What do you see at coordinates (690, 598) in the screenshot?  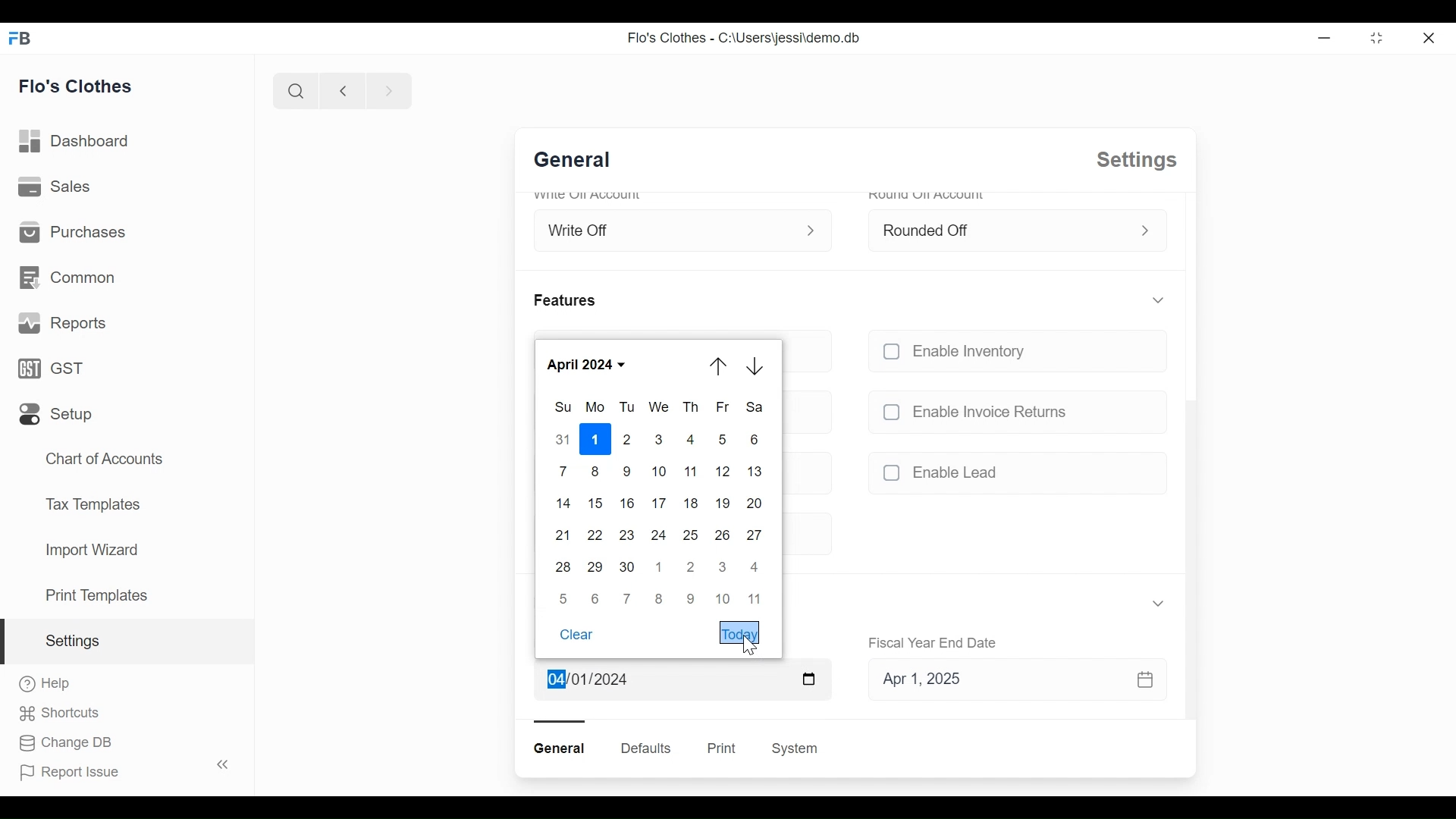 I see `9` at bounding box center [690, 598].